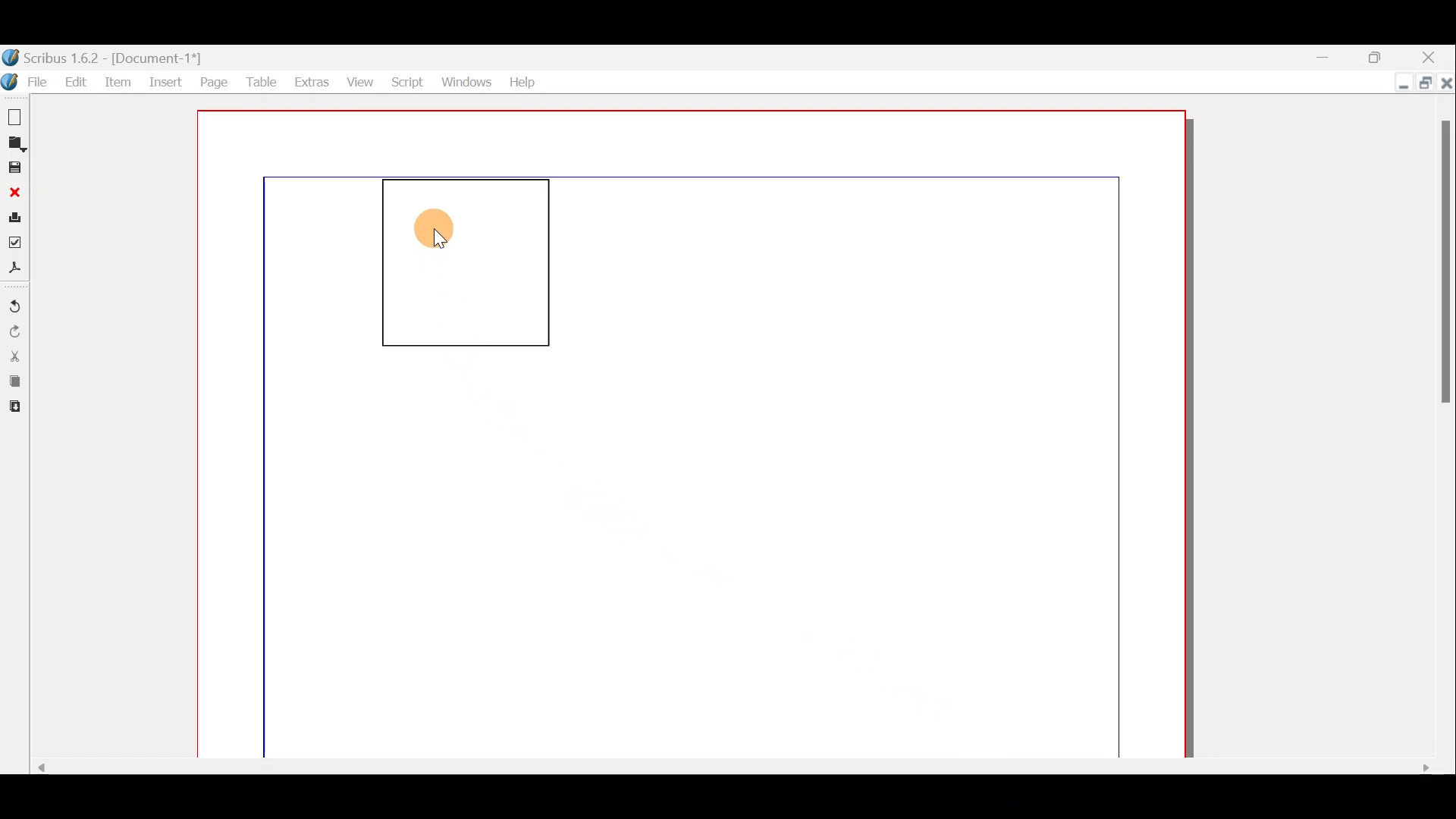  What do you see at coordinates (409, 80) in the screenshot?
I see `Script` at bounding box center [409, 80].